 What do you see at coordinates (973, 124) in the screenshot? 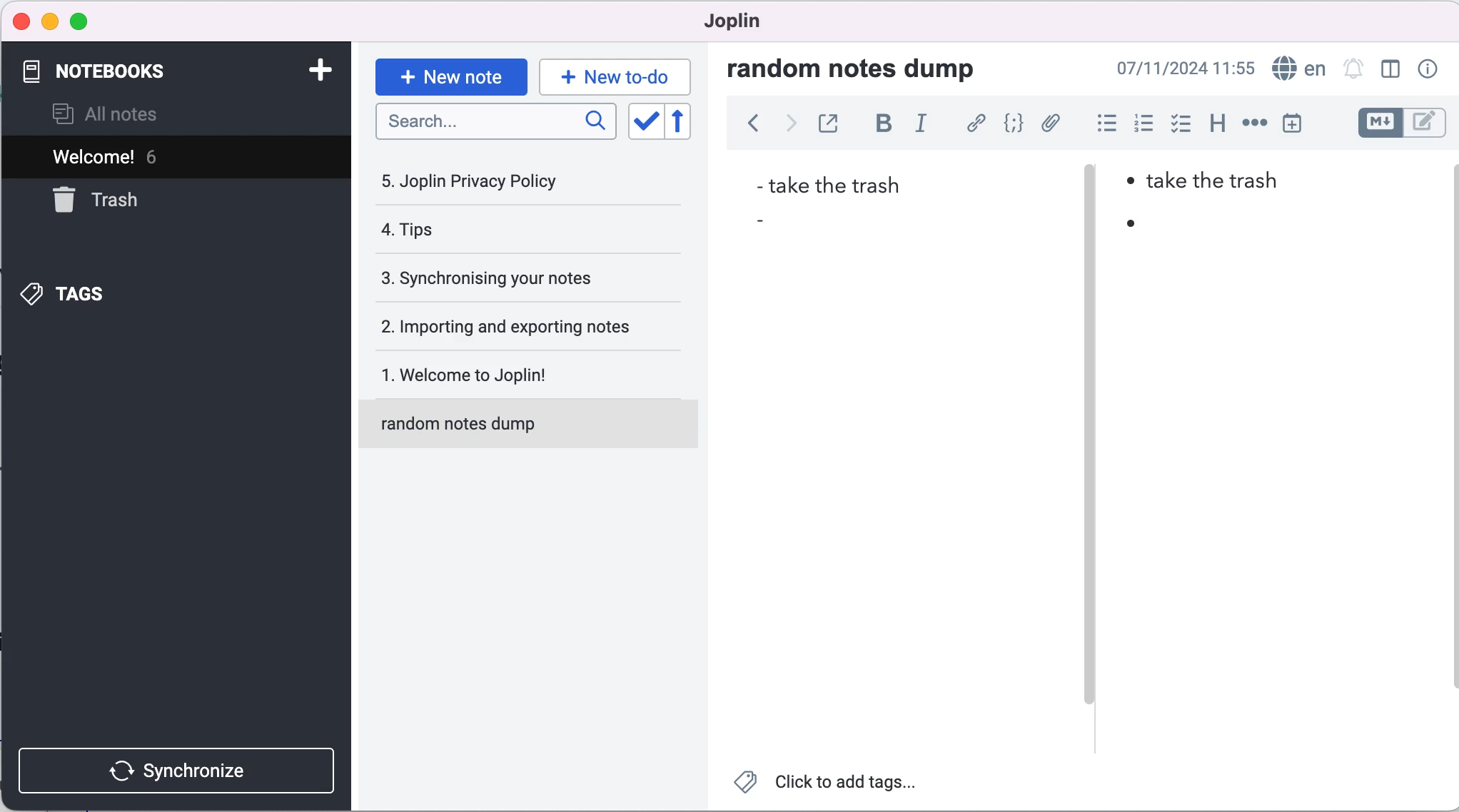
I see `hyperlink` at bounding box center [973, 124].